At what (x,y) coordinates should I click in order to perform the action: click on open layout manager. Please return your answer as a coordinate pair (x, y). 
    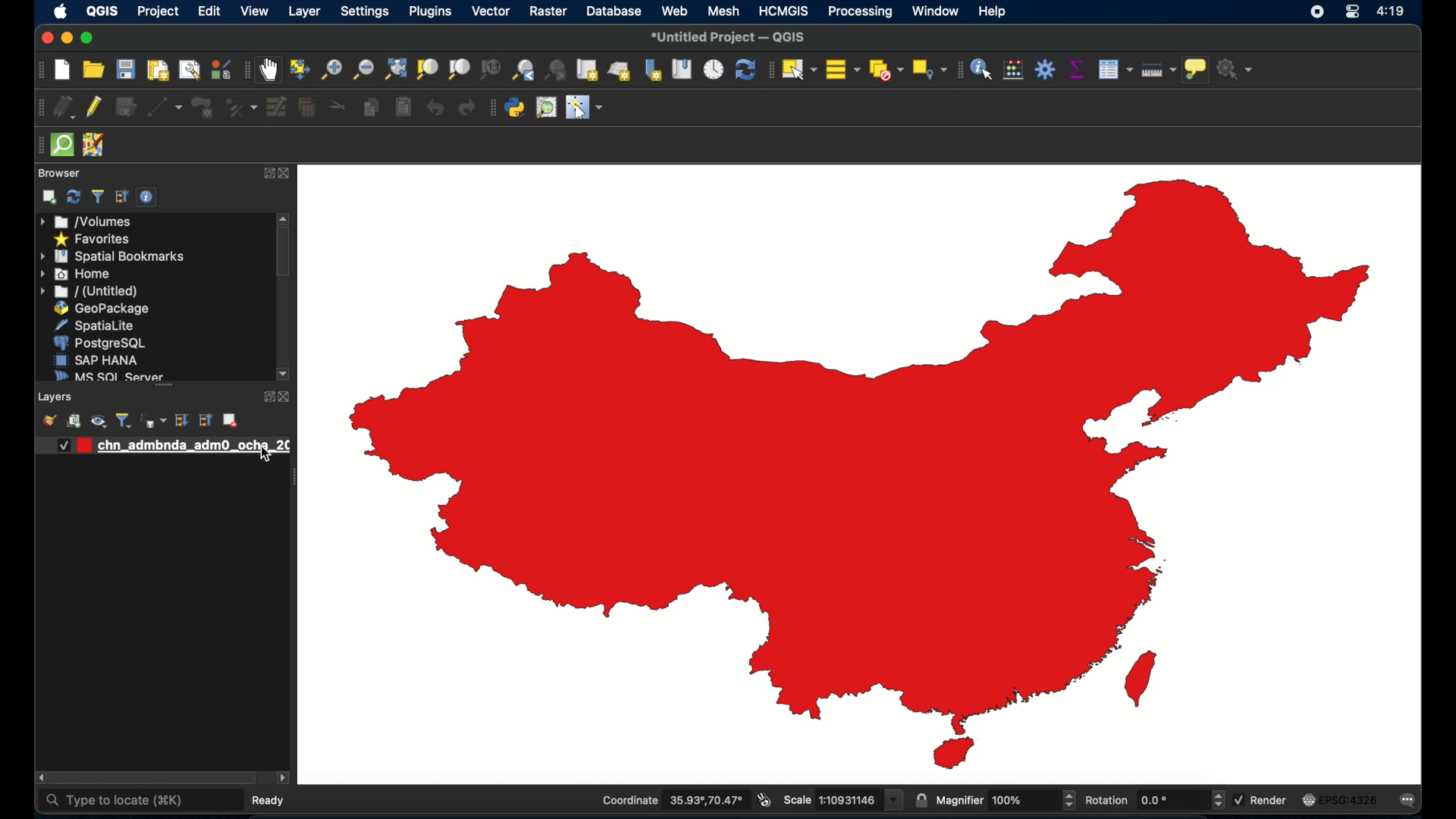
    Looking at the image, I should click on (188, 71).